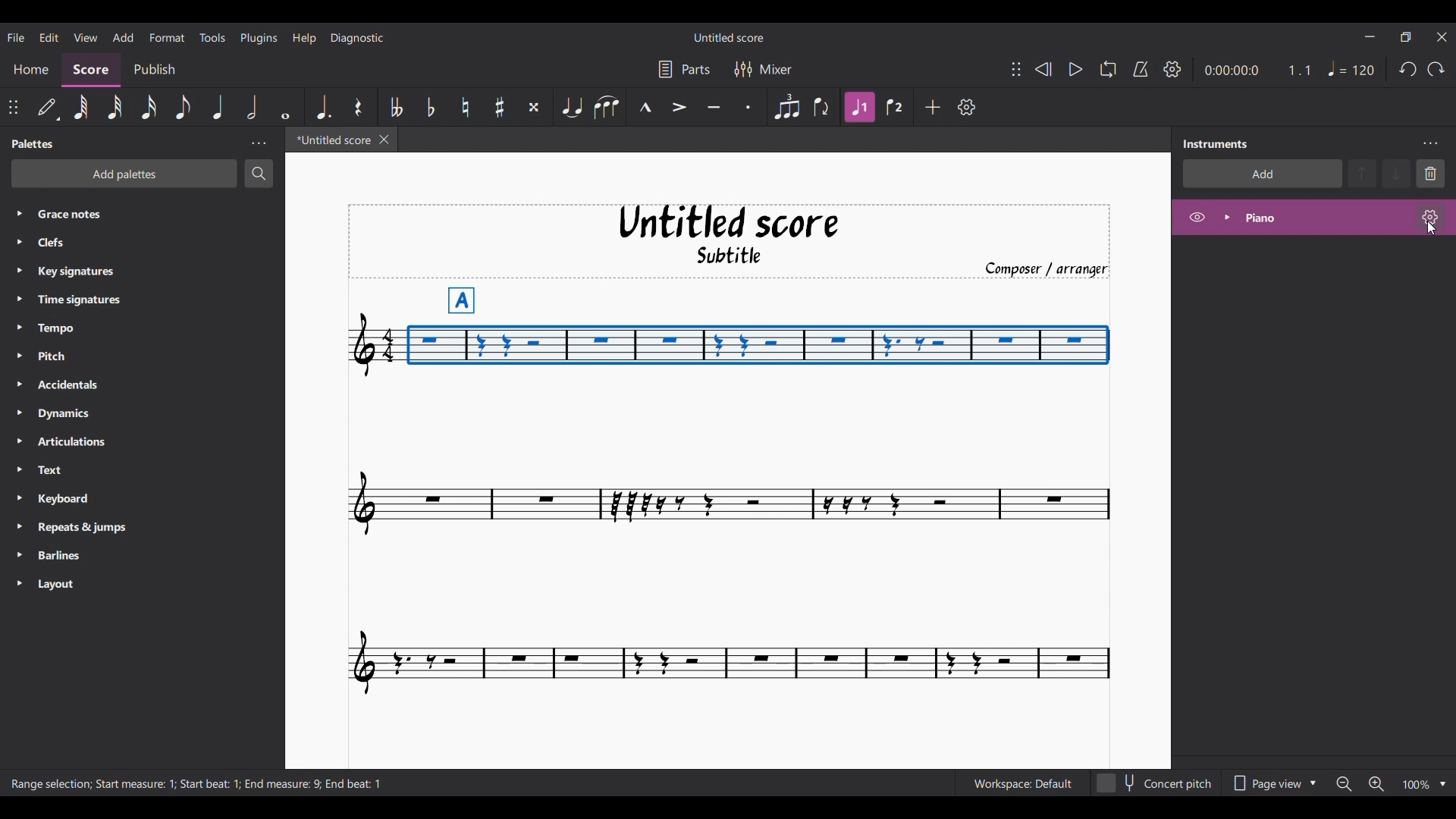 The image size is (1456, 819). Describe the element at coordinates (358, 107) in the screenshot. I see `Rest` at that location.